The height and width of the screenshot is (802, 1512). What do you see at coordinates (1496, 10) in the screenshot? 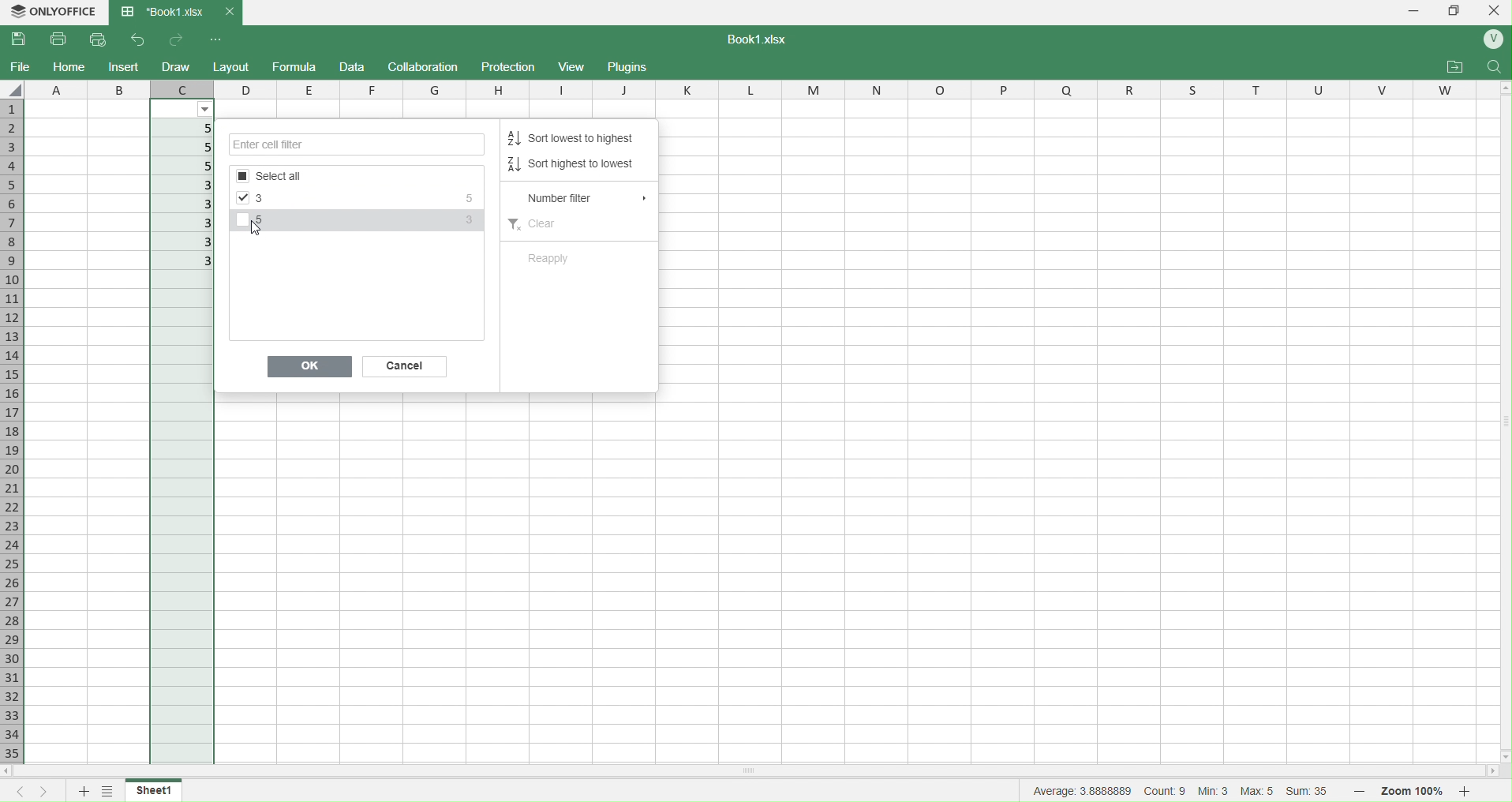
I see `Close` at bounding box center [1496, 10].